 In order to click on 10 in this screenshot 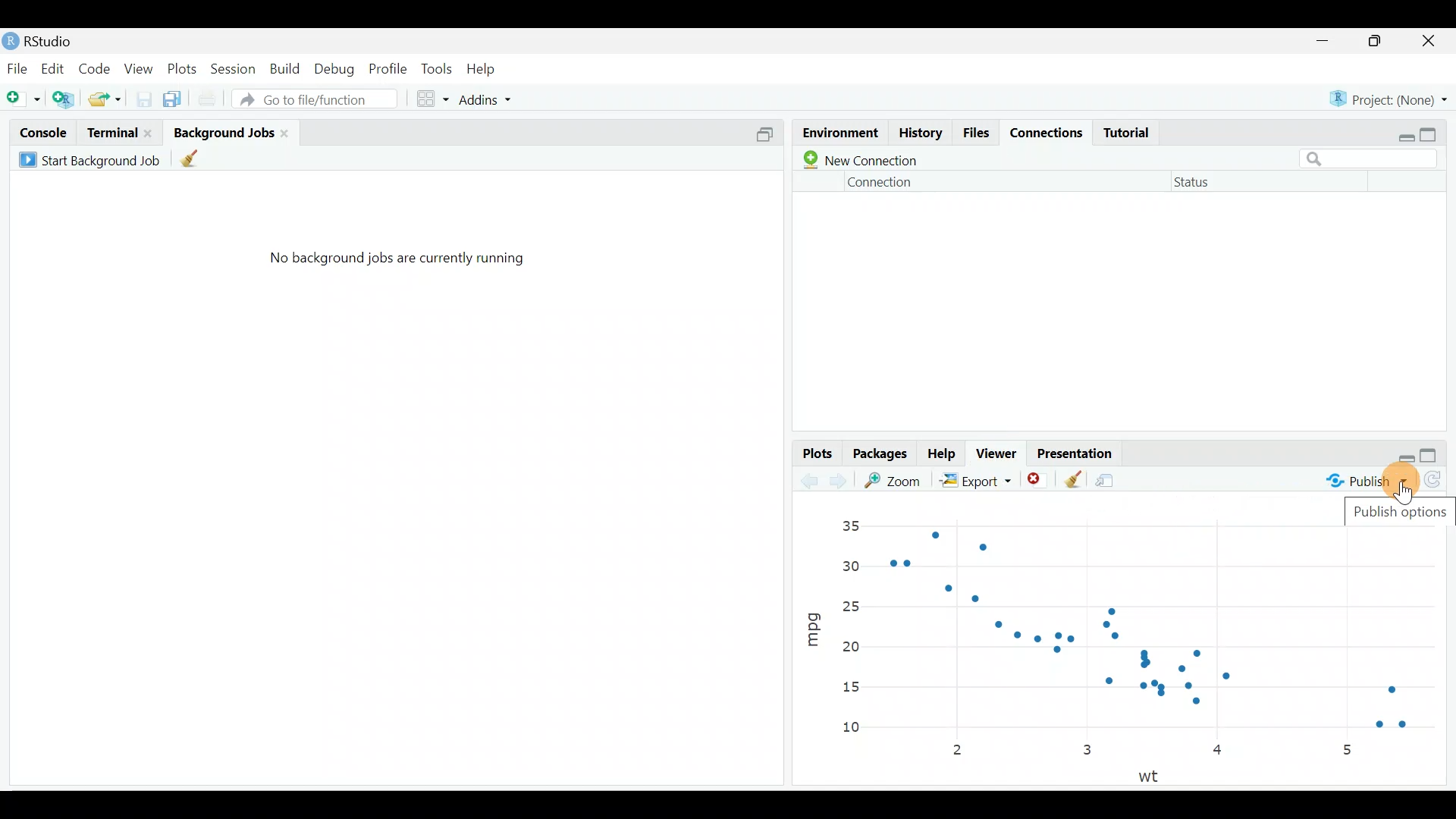, I will do `click(859, 729)`.